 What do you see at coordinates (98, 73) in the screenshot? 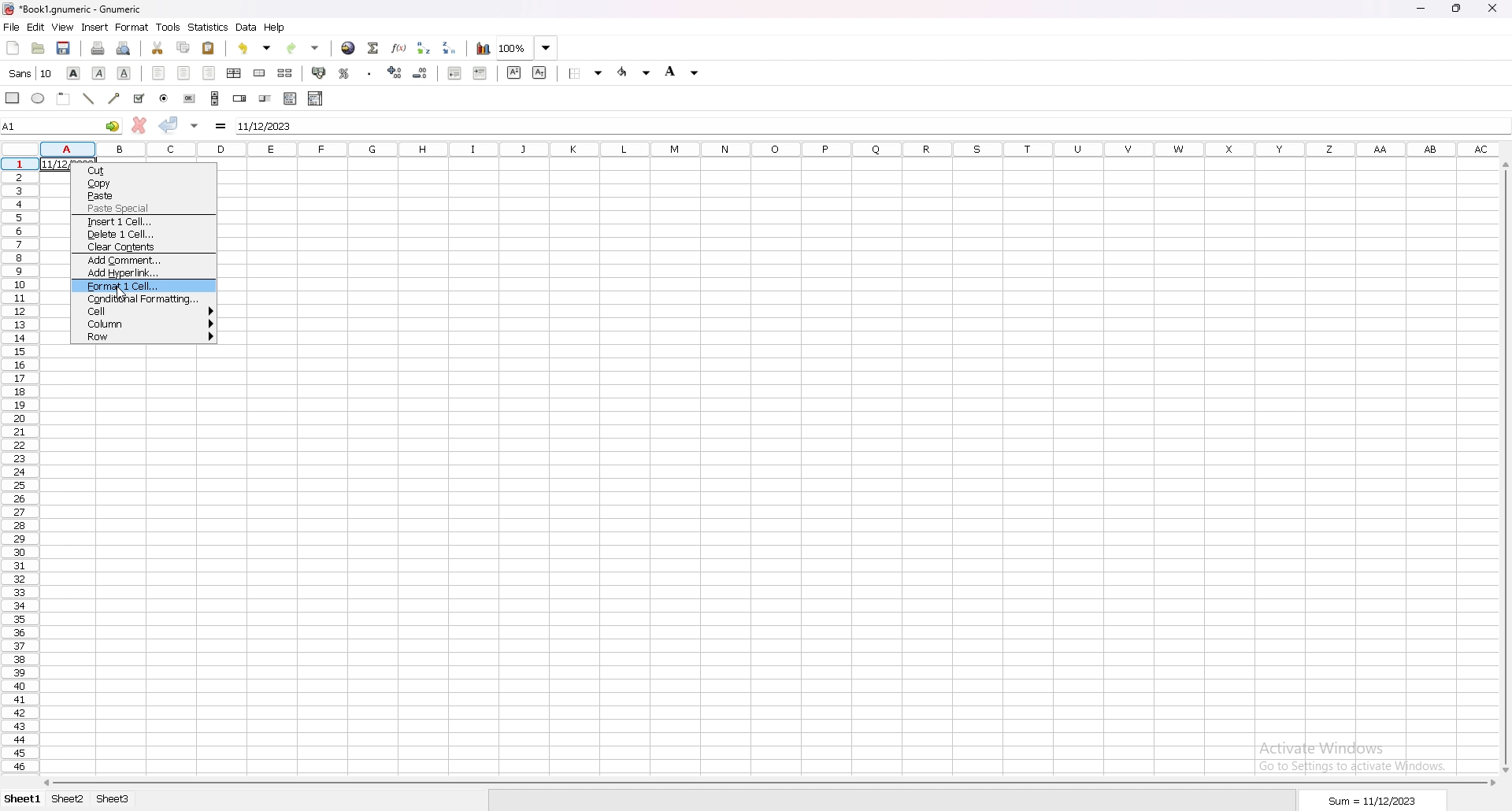
I see `italic` at bounding box center [98, 73].